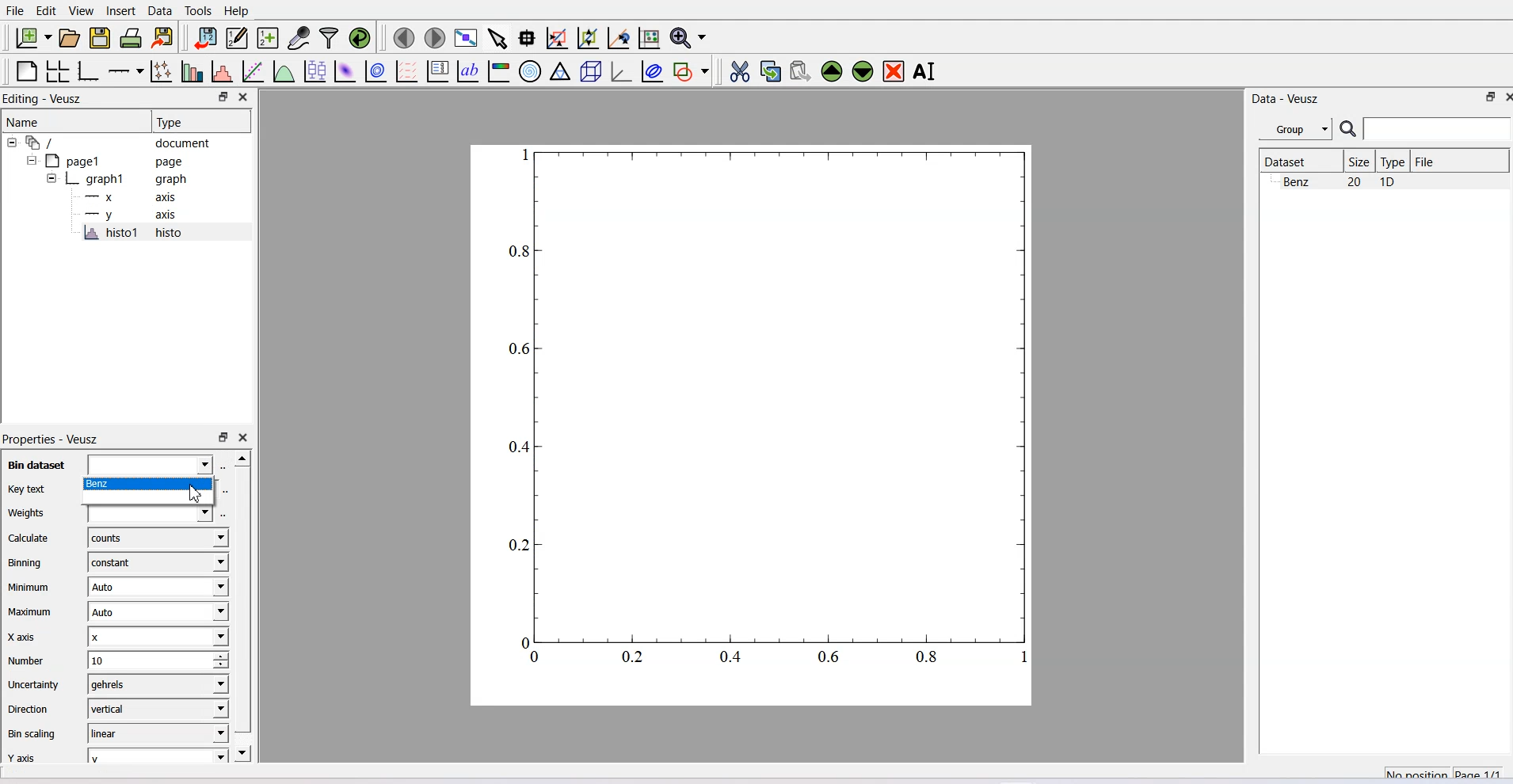  What do you see at coordinates (437, 71) in the screenshot?
I see `Plot key` at bounding box center [437, 71].